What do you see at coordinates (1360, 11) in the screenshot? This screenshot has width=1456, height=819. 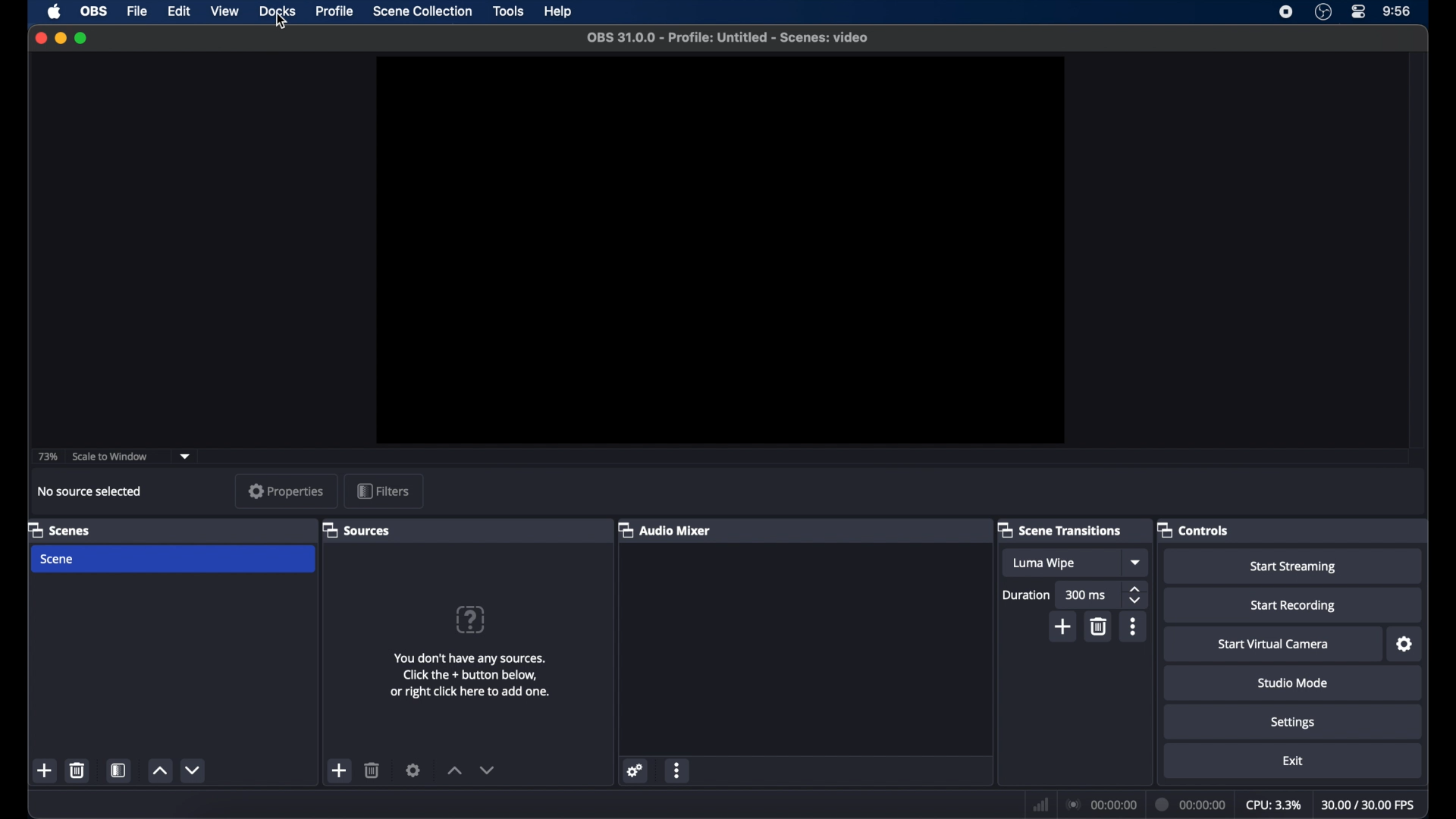 I see `control center` at bounding box center [1360, 11].